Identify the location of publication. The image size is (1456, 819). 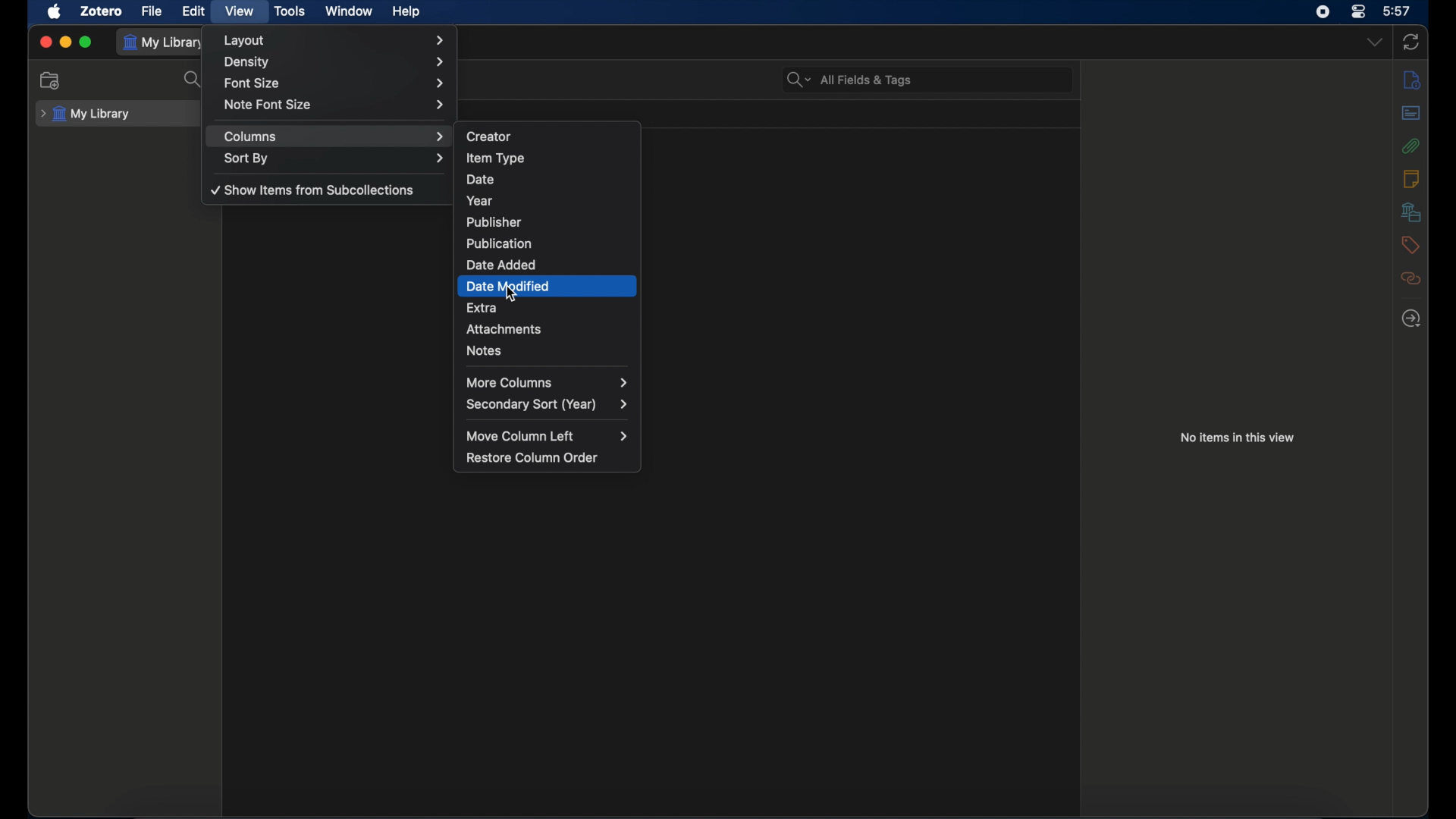
(551, 241).